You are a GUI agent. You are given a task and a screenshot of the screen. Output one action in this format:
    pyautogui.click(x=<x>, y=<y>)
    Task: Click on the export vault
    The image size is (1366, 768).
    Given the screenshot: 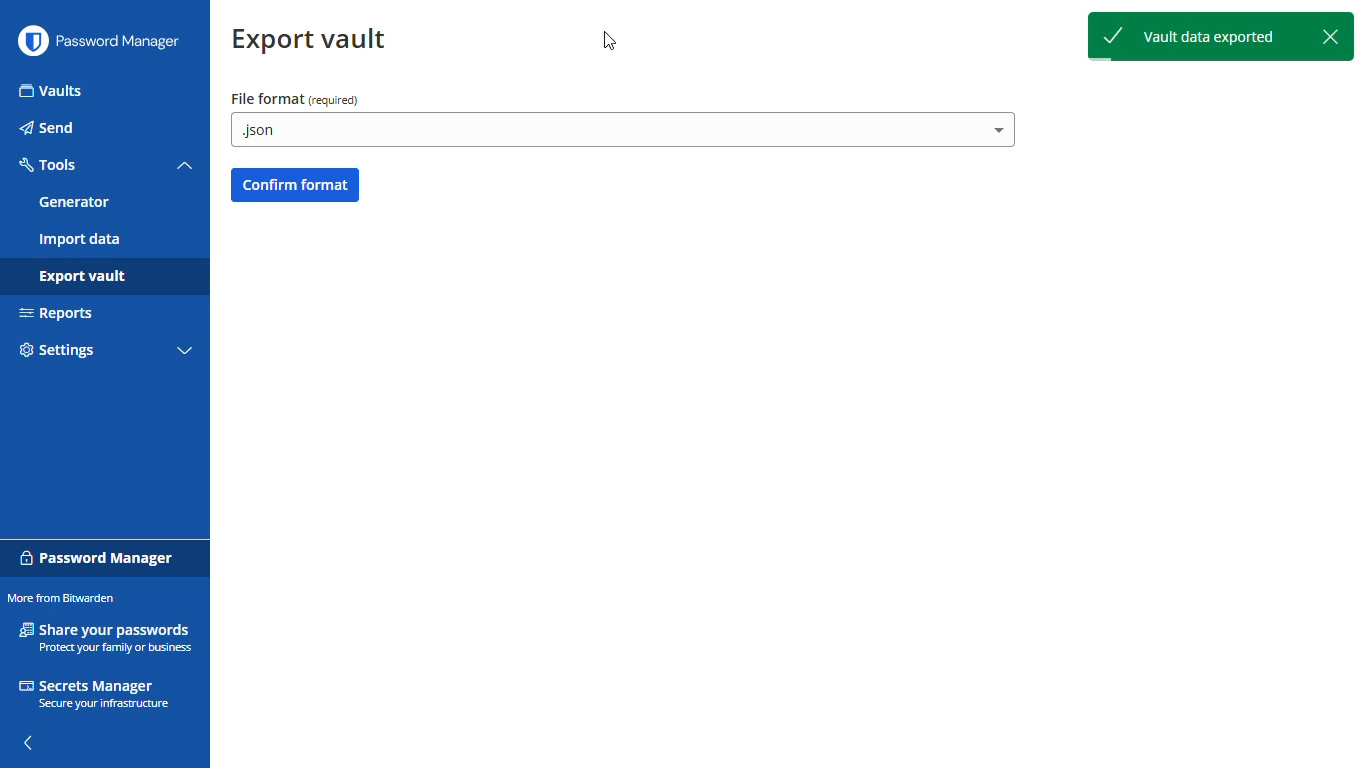 What is the action you would take?
    pyautogui.click(x=312, y=41)
    